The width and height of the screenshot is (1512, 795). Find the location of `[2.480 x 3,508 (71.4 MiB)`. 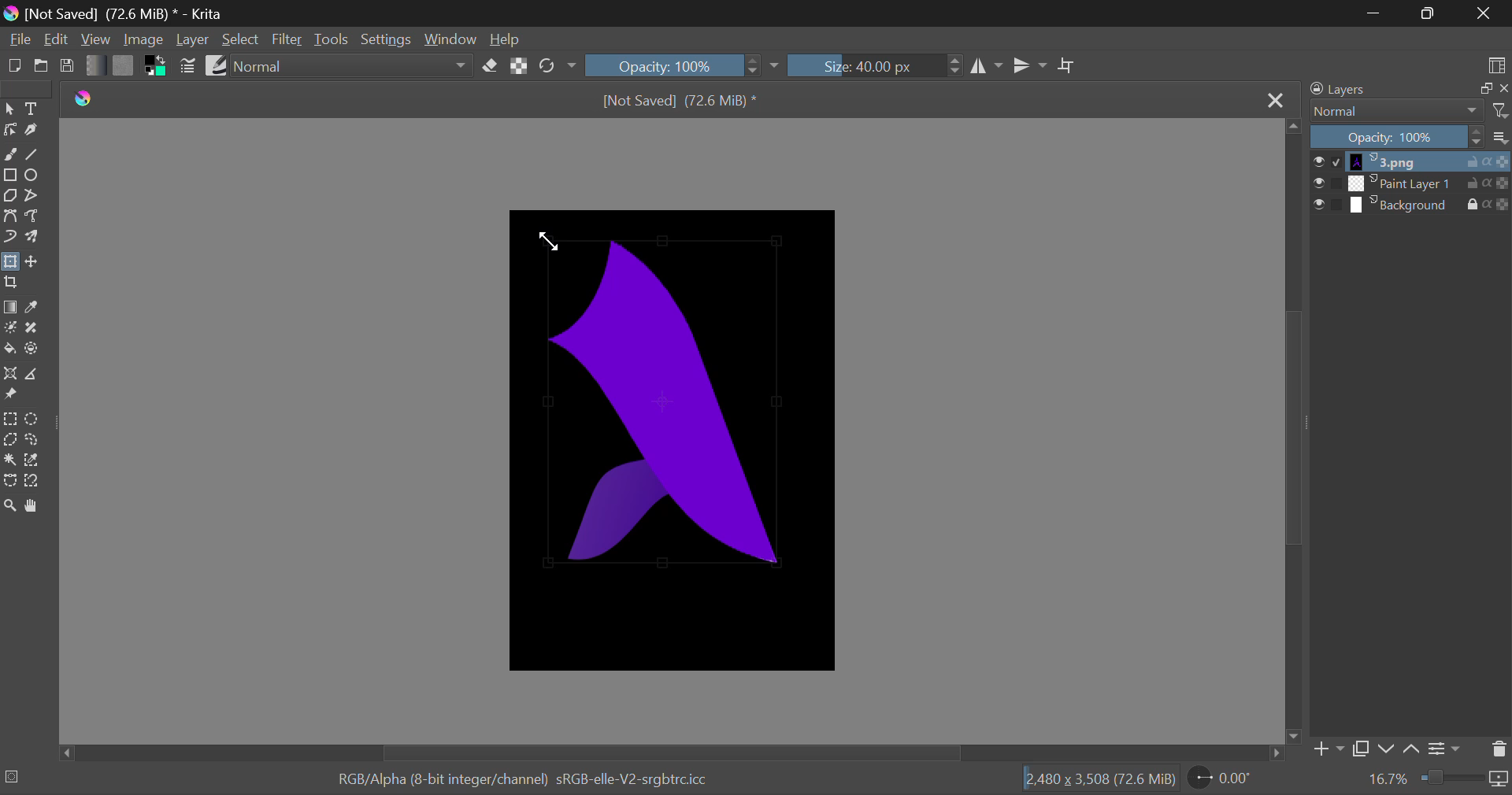

[2.480 x 3,508 (71.4 MiB) is located at coordinates (1102, 780).